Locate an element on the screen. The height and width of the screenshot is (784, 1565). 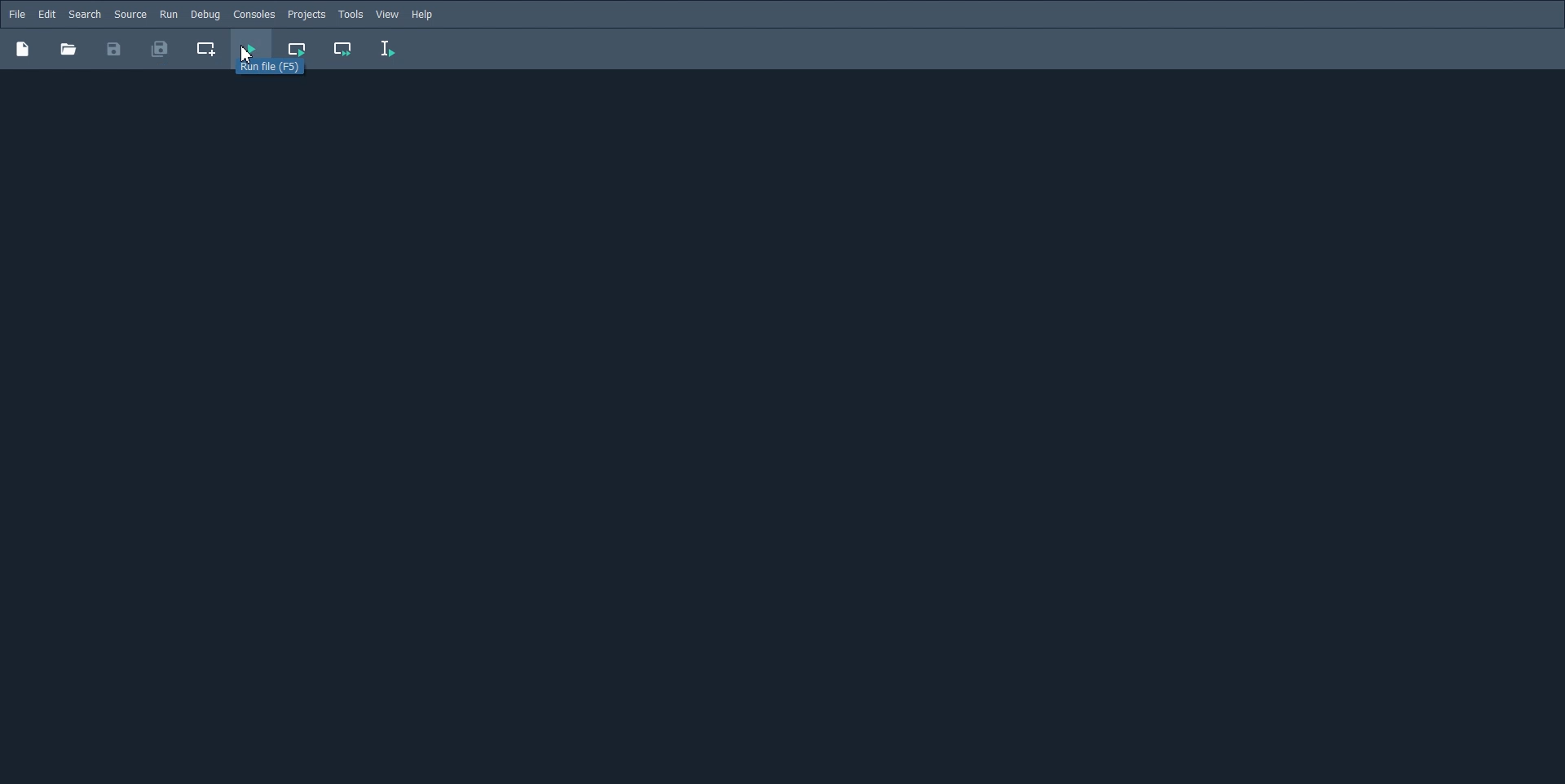
Run Current cell and go to next cell is located at coordinates (344, 50).